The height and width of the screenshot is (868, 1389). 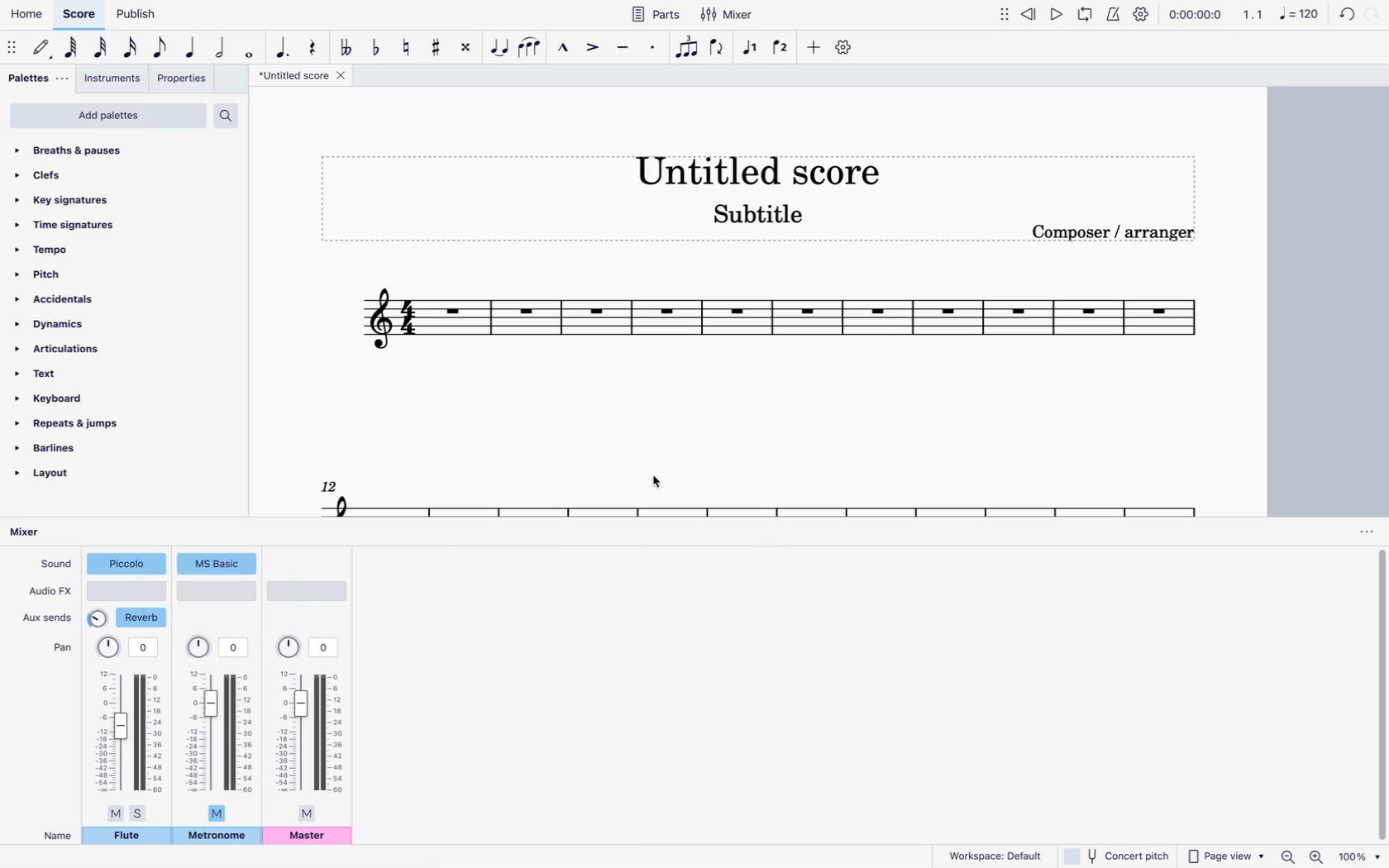 What do you see at coordinates (77, 249) in the screenshot?
I see `tempo` at bounding box center [77, 249].